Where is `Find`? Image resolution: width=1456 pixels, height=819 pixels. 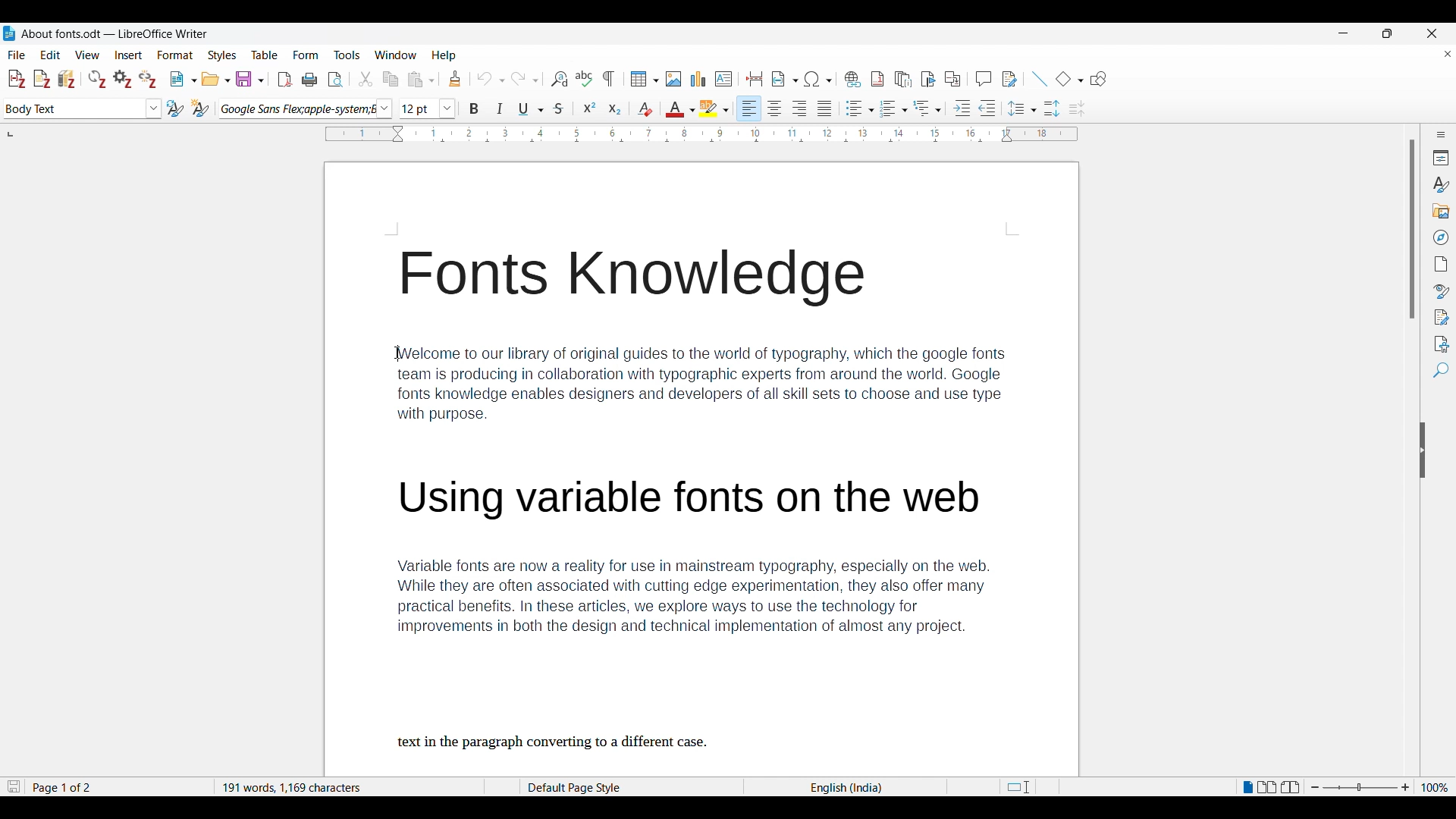
Find is located at coordinates (1442, 370).